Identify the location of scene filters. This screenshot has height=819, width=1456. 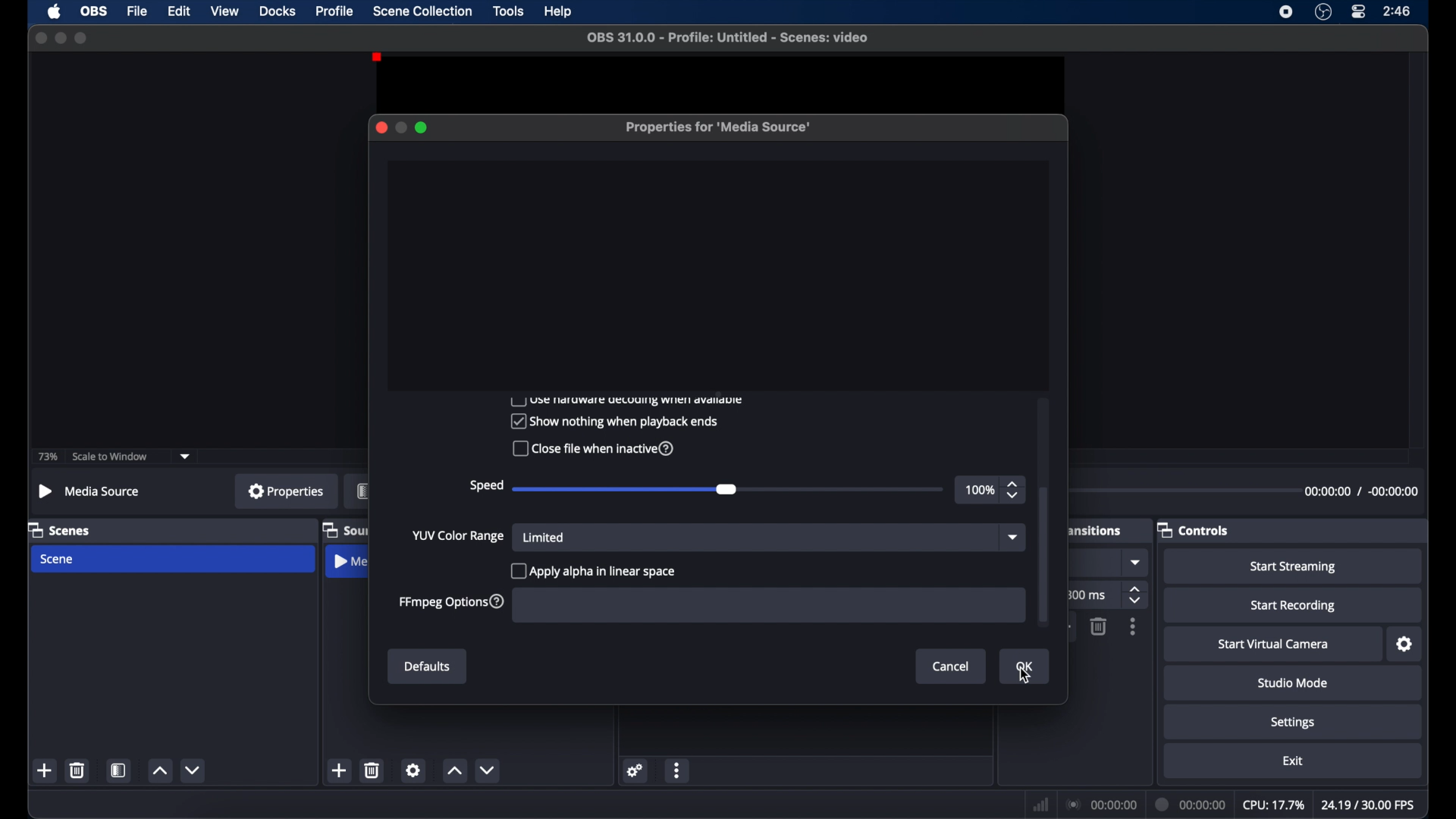
(119, 770).